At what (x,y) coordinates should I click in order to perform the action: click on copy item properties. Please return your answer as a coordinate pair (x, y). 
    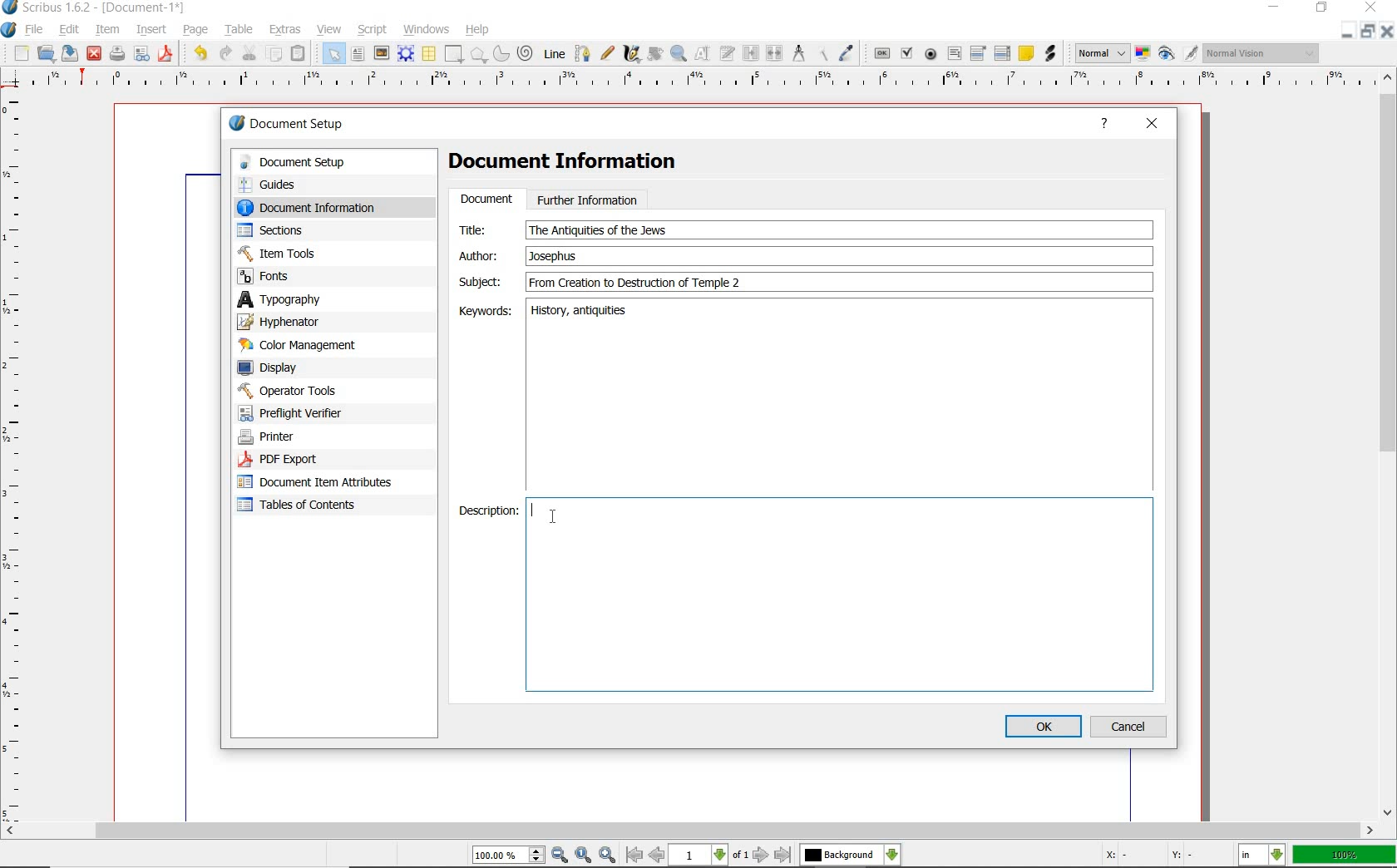
    Looking at the image, I should click on (821, 54).